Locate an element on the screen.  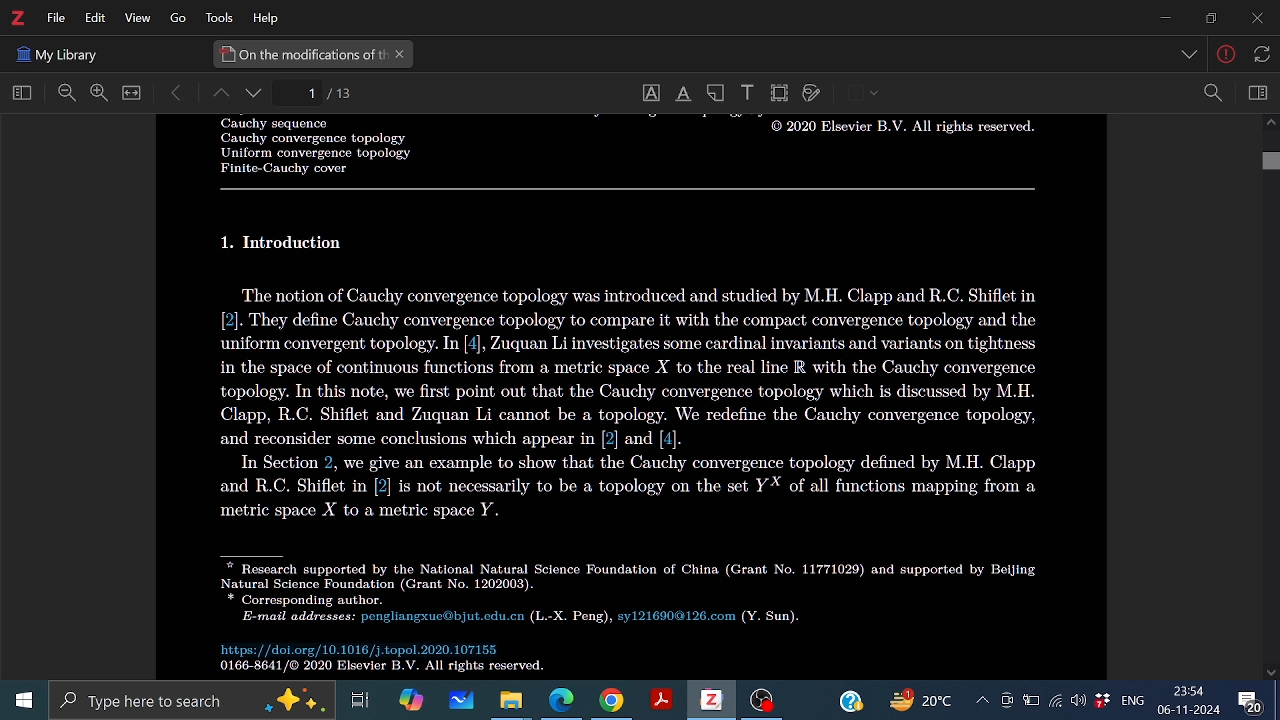
Select text is located at coordinates (650, 93).